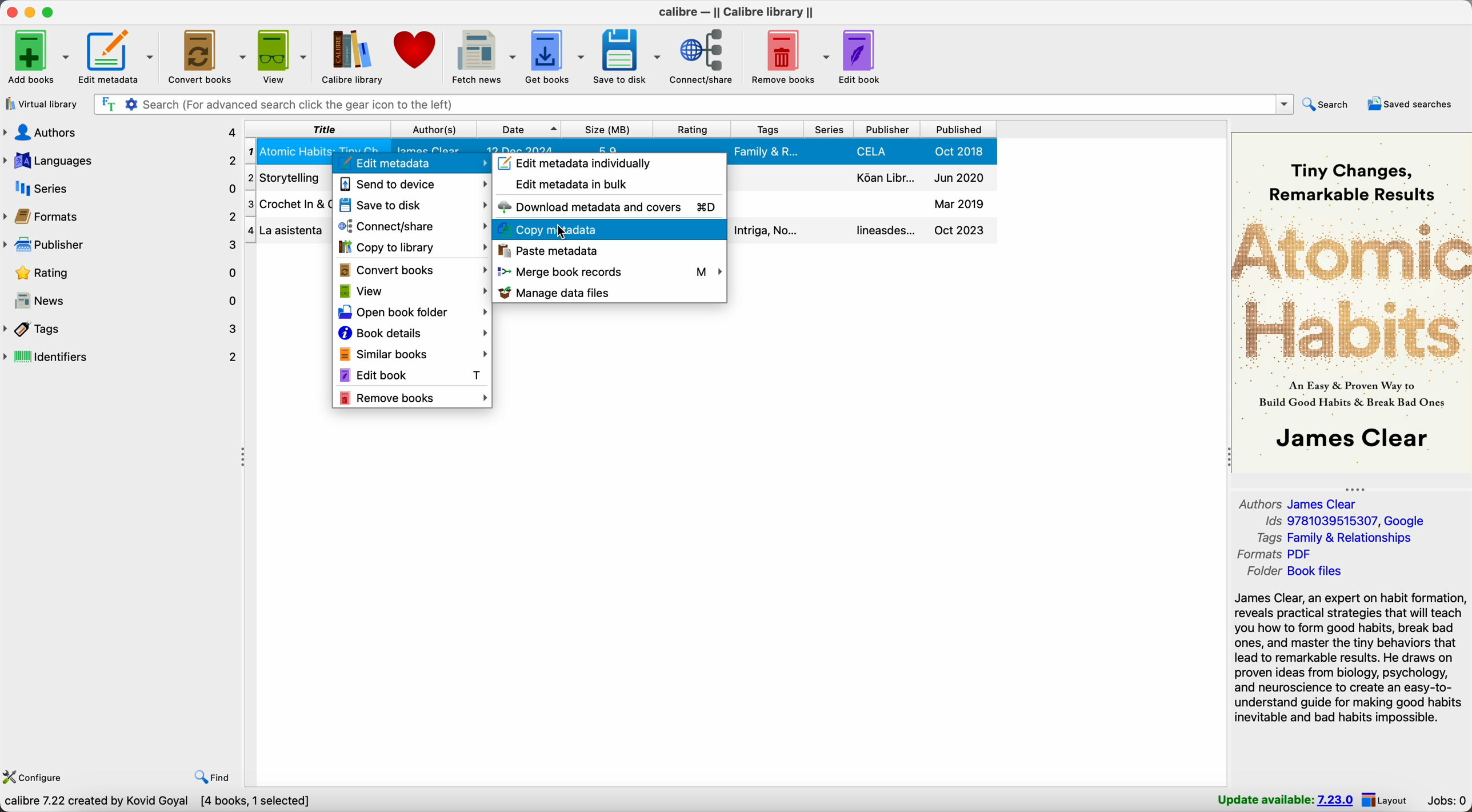  What do you see at coordinates (412, 164) in the screenshot?
I see `edit metadata` at bounding box center [412, 164].